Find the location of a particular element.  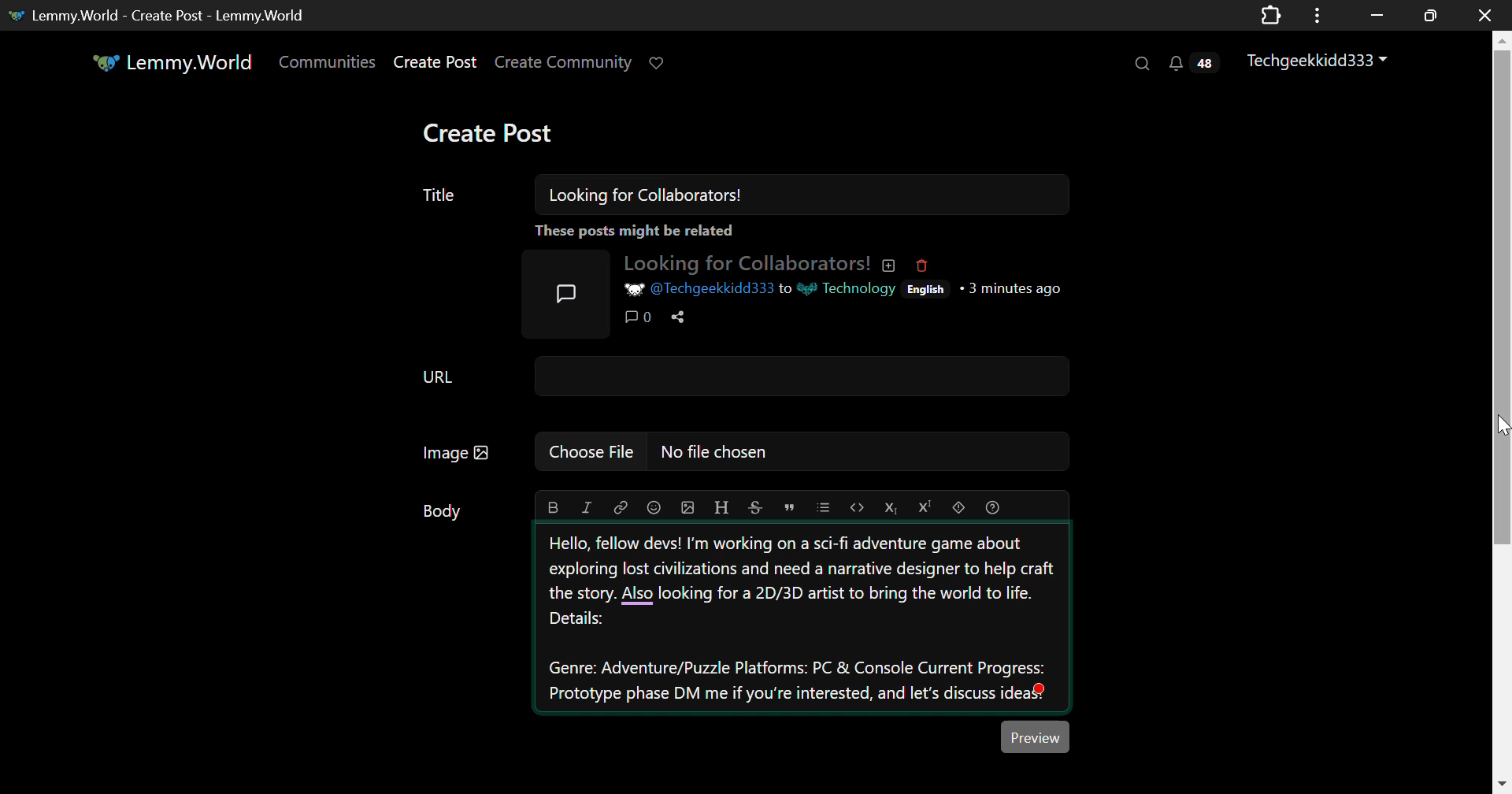

Image: No file chosen is located at coordinates (748, 451).